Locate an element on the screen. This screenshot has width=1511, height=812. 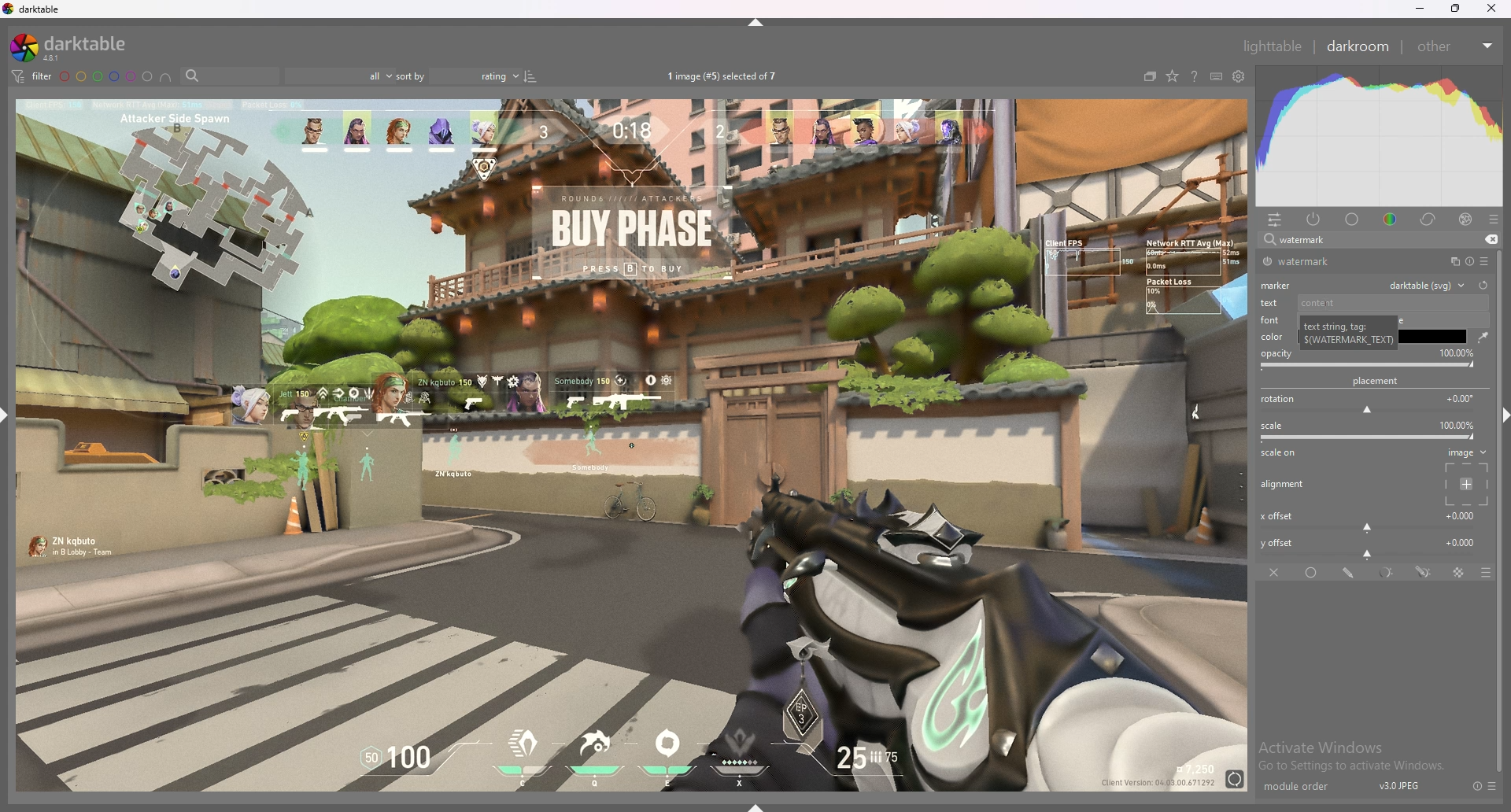
hide is located at coordinates (1498, 413).